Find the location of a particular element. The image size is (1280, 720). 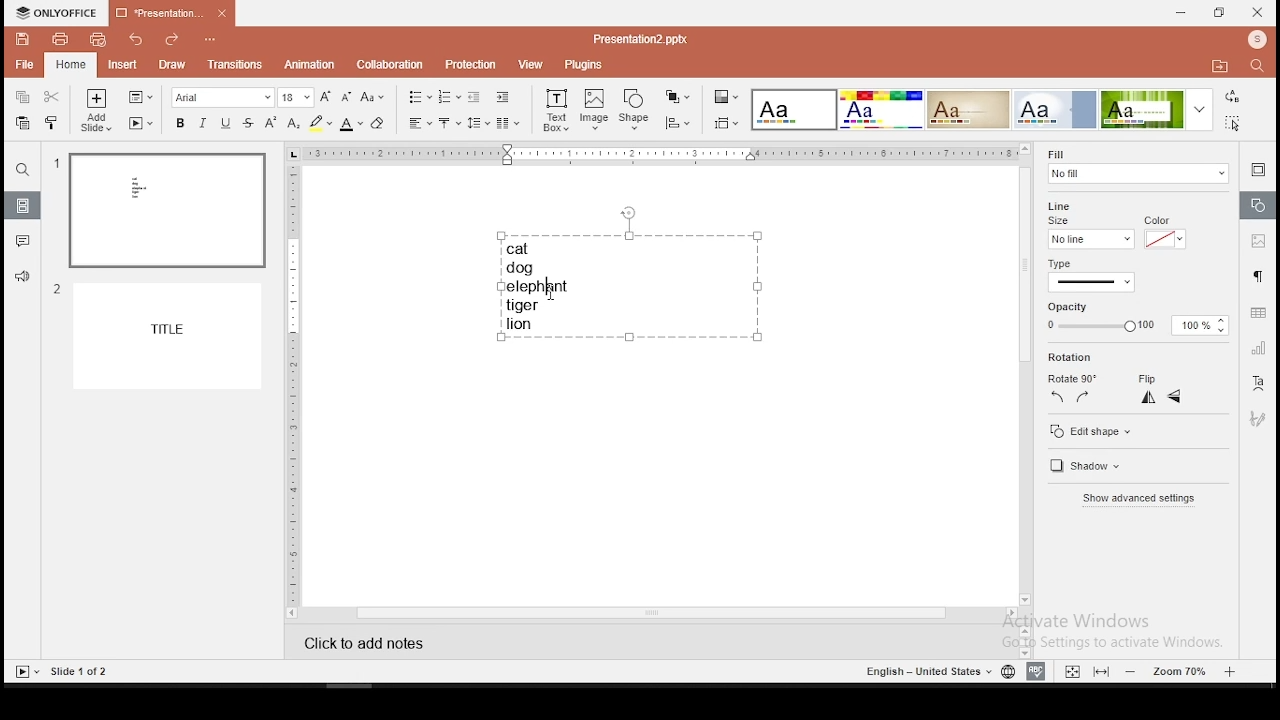

cut is located at coordinates (50, 98).